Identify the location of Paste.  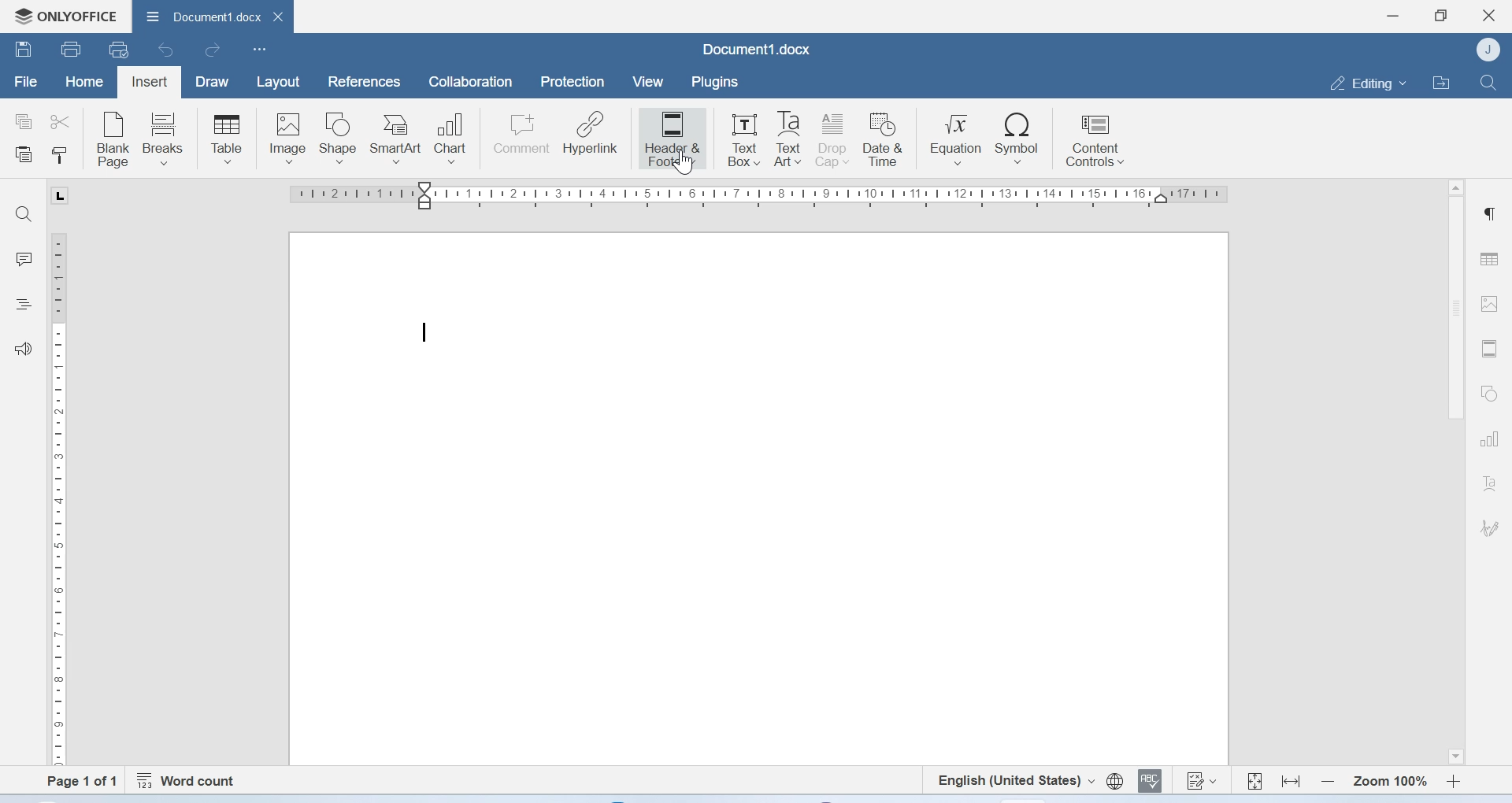
(24, 156).